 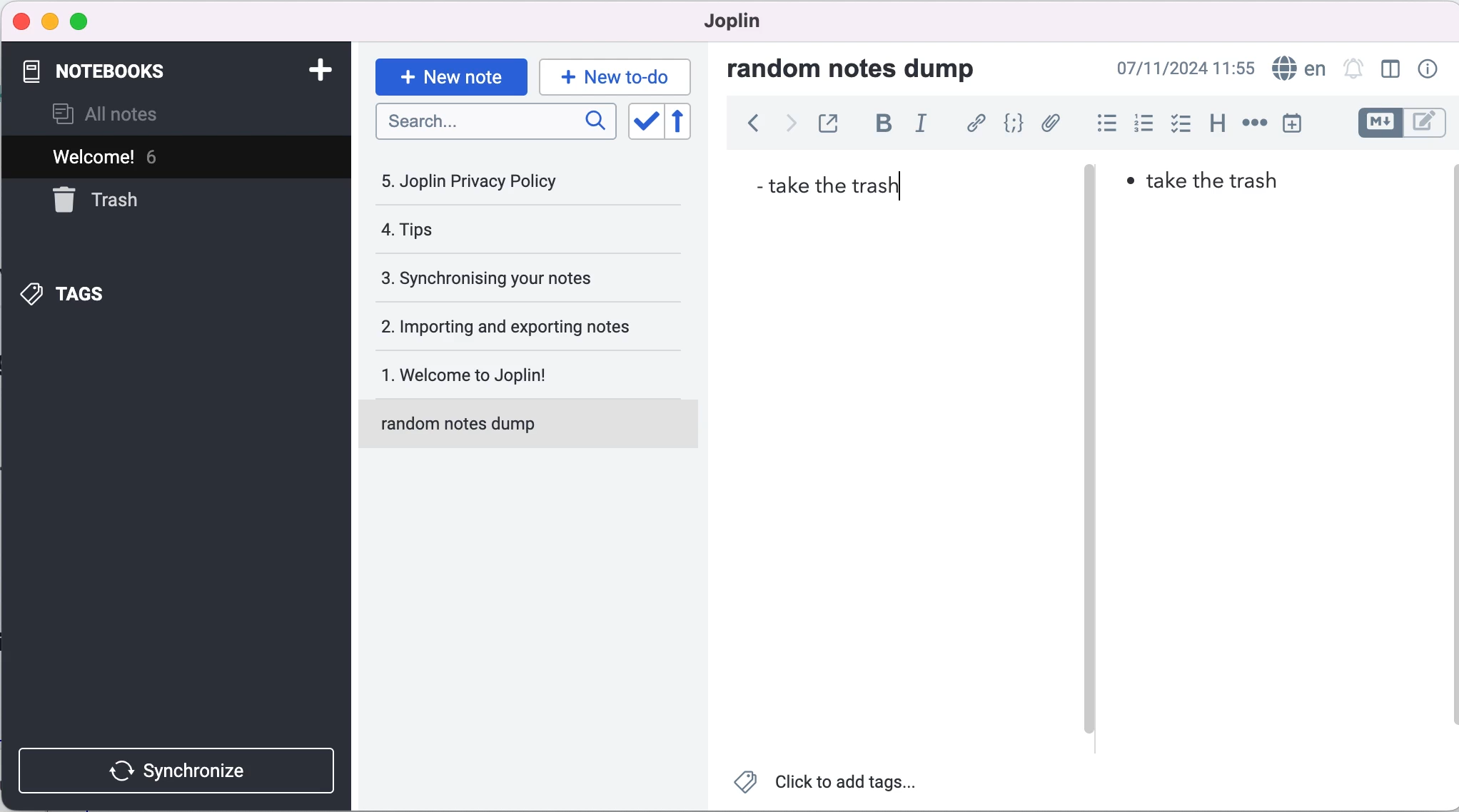 I want to click on click to add tags, so click(x=832, y=785).